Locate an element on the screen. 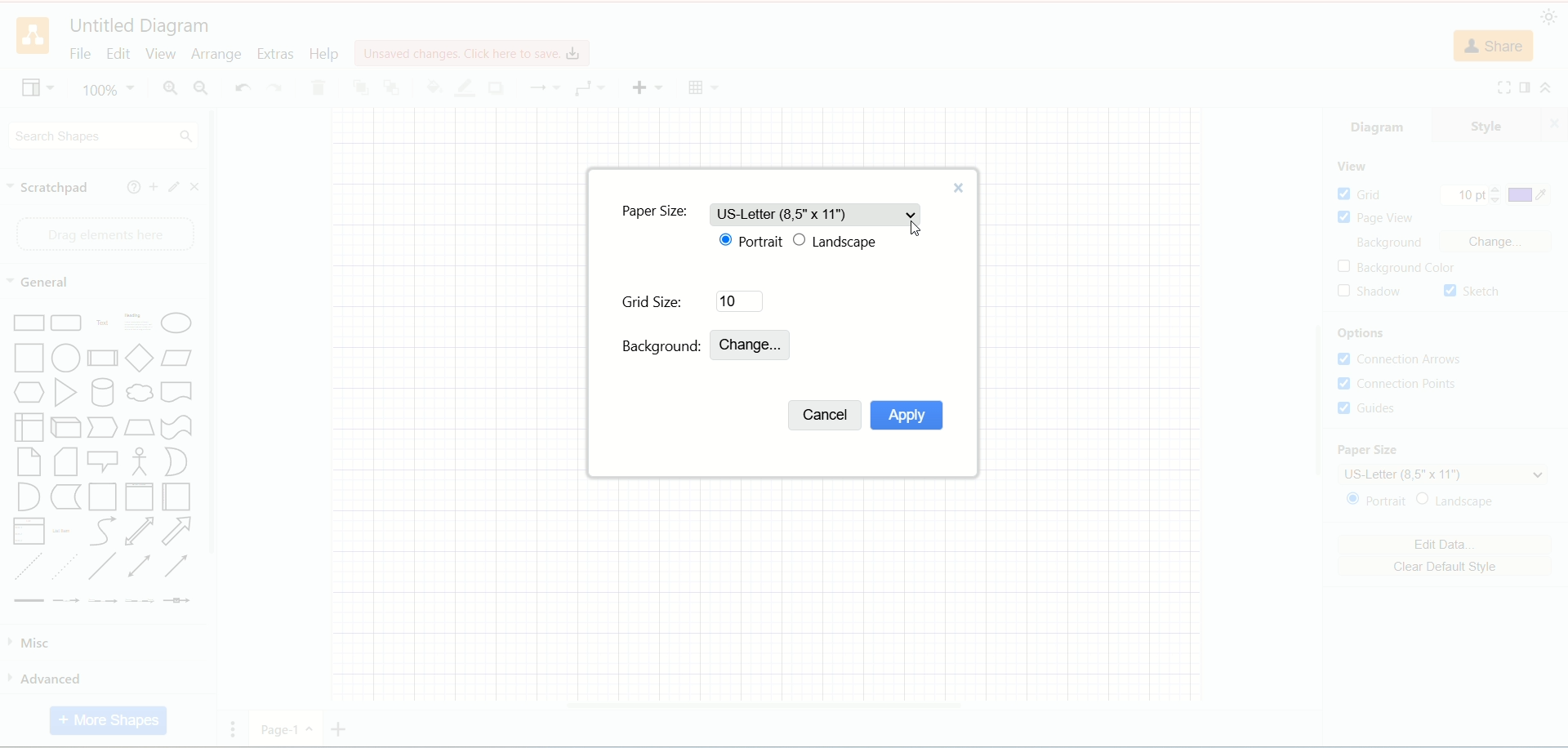 This screenshot has width=1568, height=748. insert is located at coordinates (647, 86).